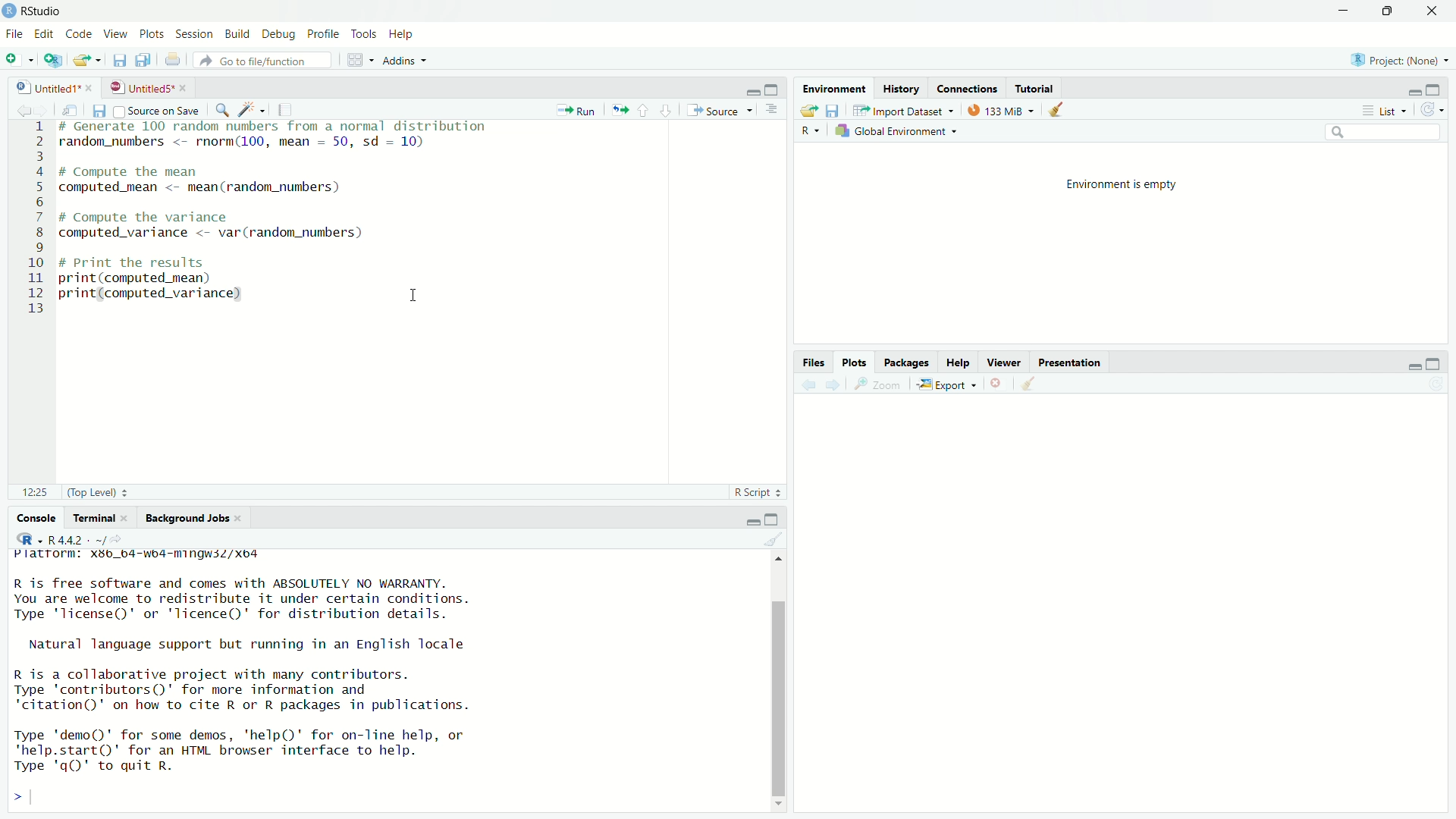 The image size is (1456, 819). What do you see at coordinates (808, 132) in the screenshot?
I see `select language` at bounding box center [808, 132].